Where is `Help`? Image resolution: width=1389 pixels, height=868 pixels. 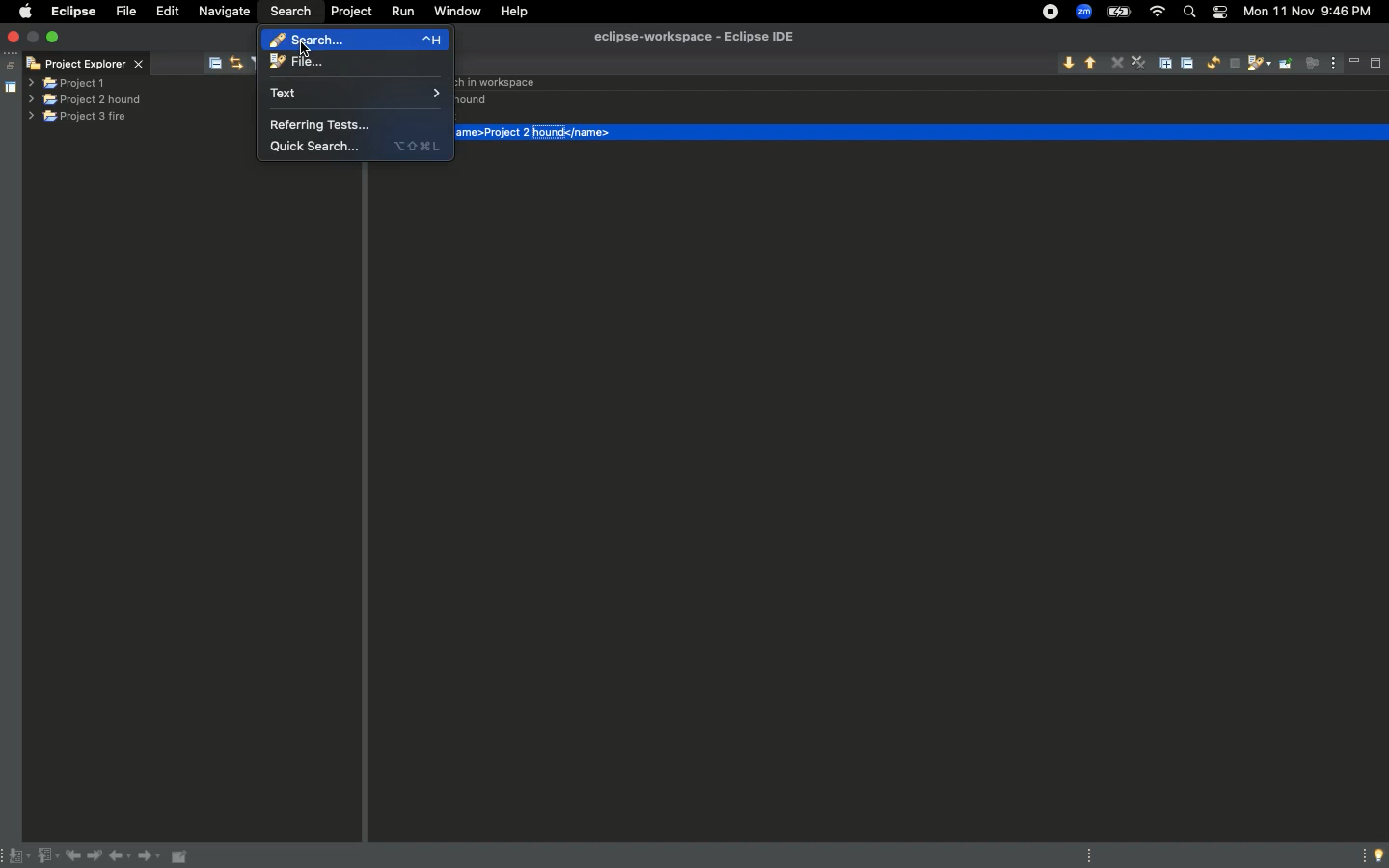
Help is located at coordinates (521, 13).